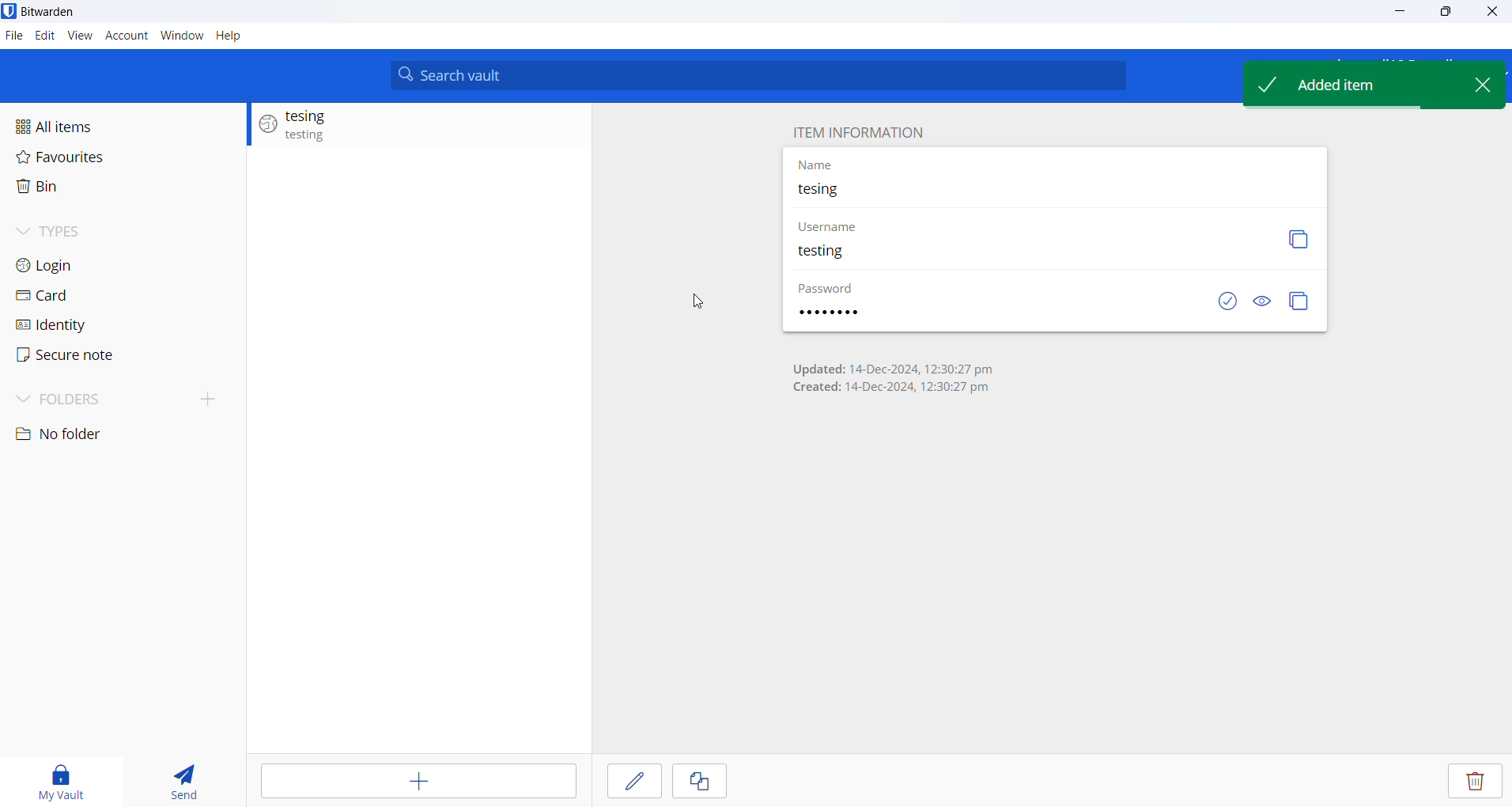  Describe the element at coordinates (842, 313) in the screenshot. I see `password` at that location.